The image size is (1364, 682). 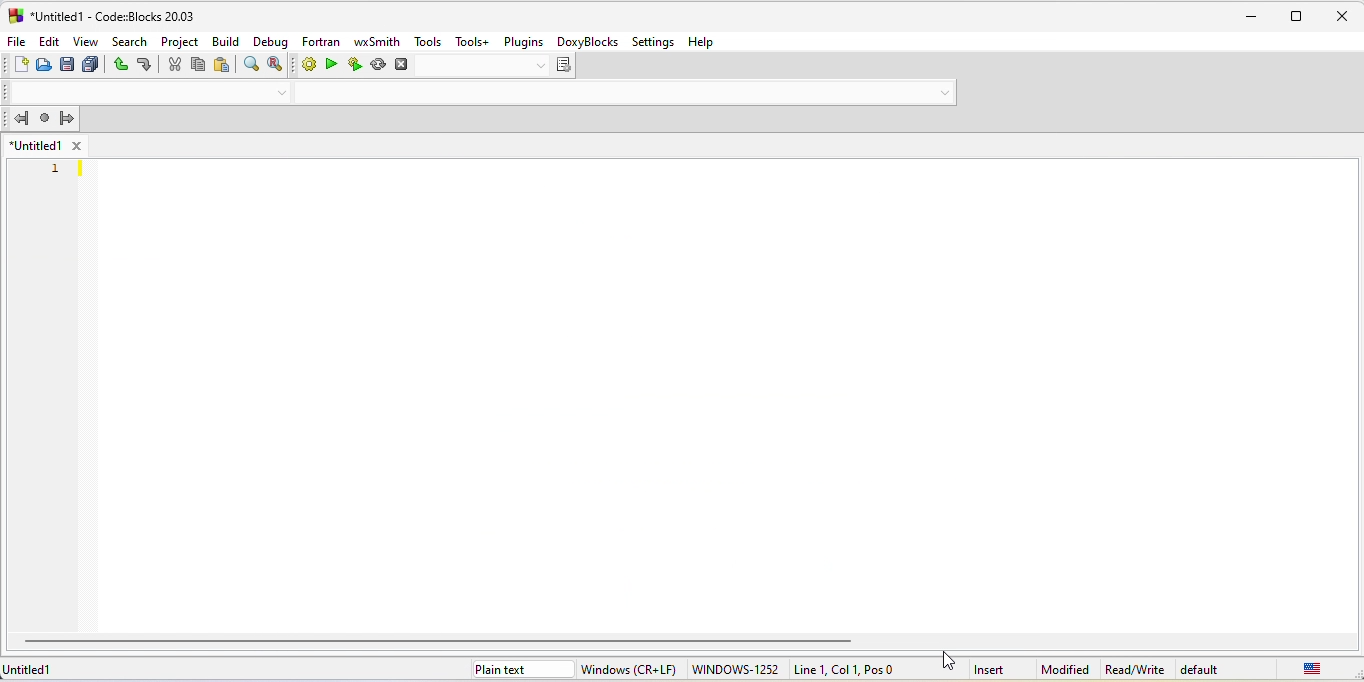 What do you see at coordinates (1064, 670) in the screenshot?
I see `modified` at bounding box center [1064, 670].